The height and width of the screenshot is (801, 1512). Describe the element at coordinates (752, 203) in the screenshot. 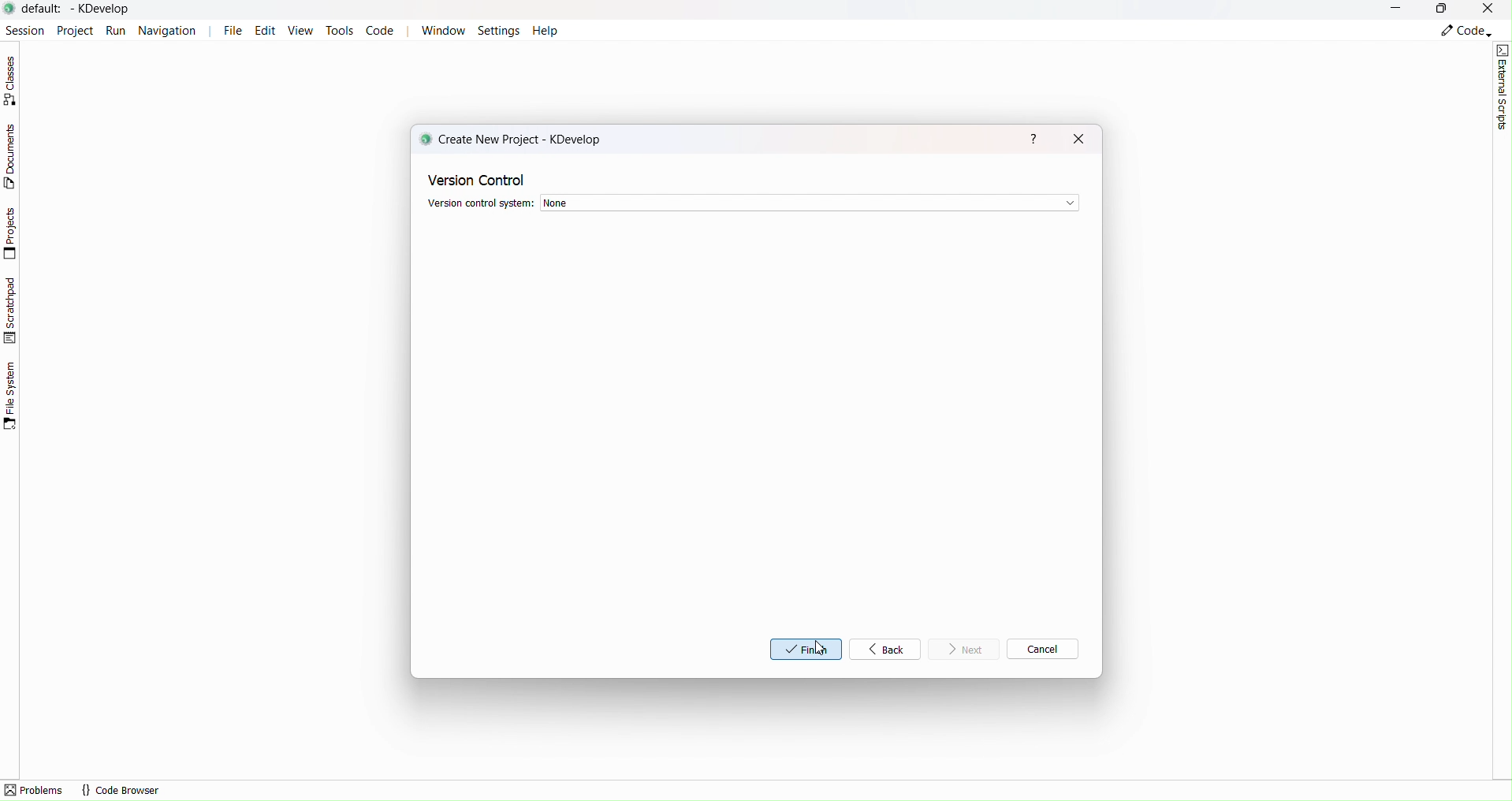

I see `Version control system: none` at that location.